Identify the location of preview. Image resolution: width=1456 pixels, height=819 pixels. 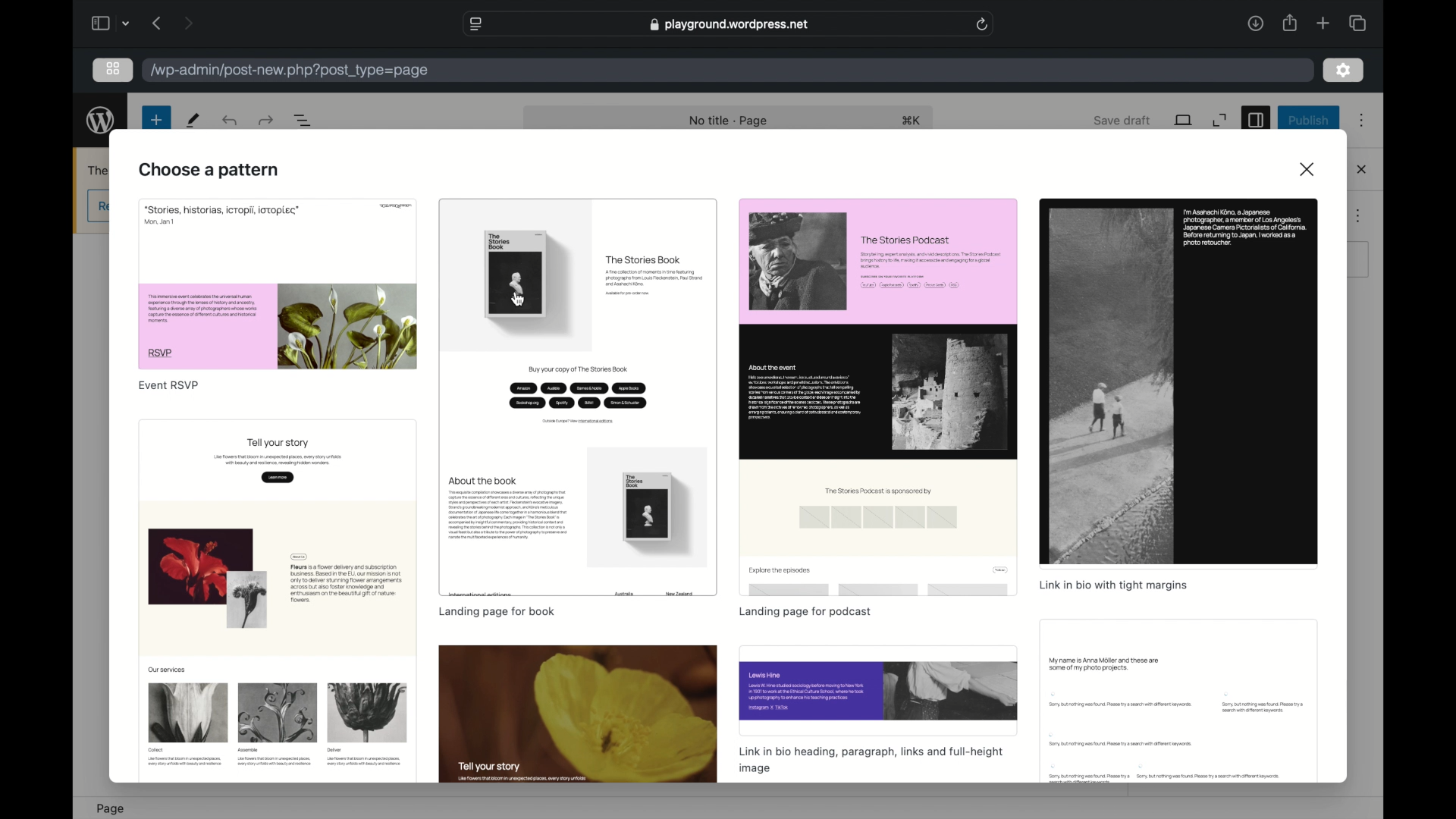
(578, 714).